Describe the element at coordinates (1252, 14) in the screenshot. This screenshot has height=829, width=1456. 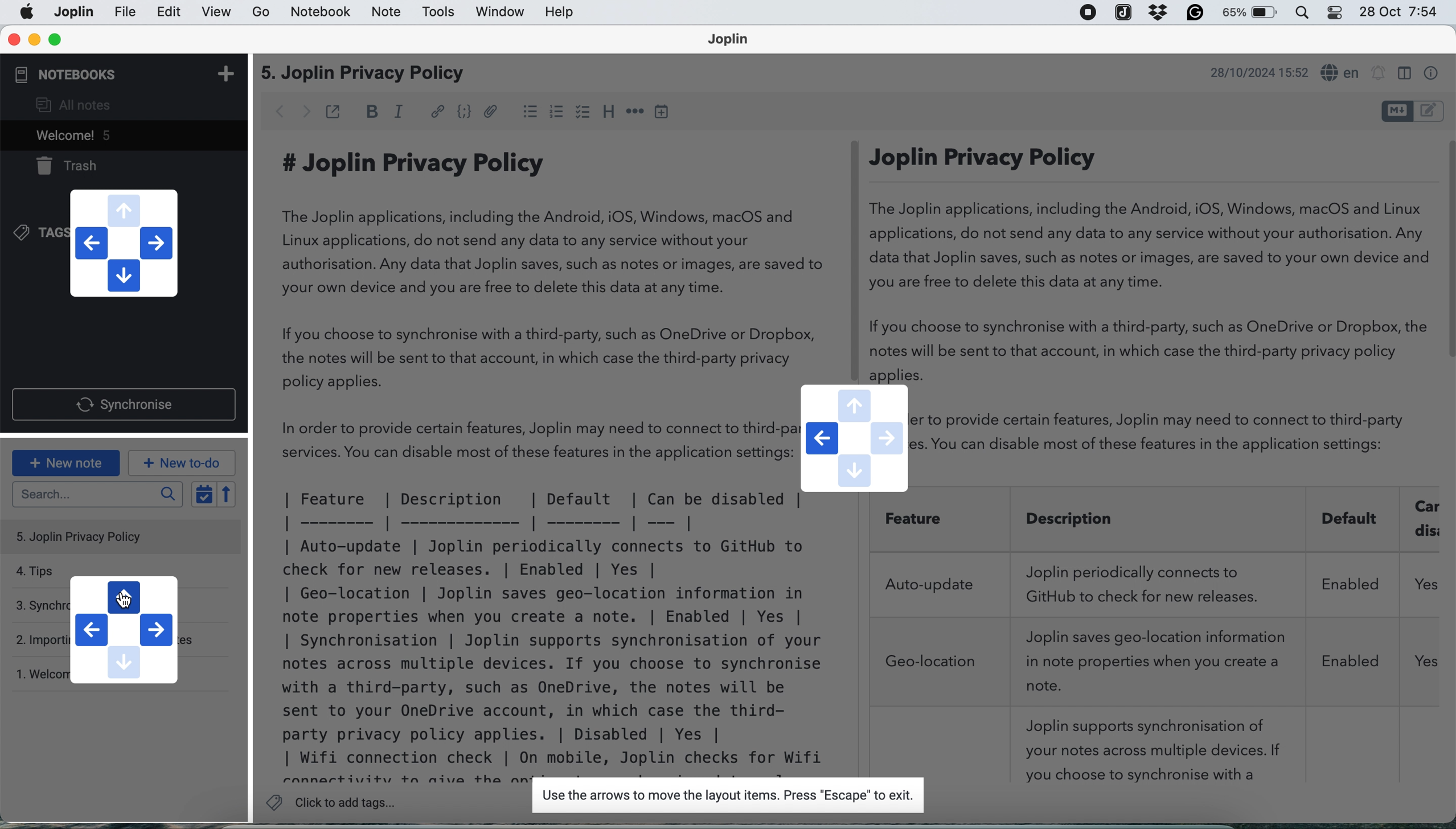
I see `battery` at that location.